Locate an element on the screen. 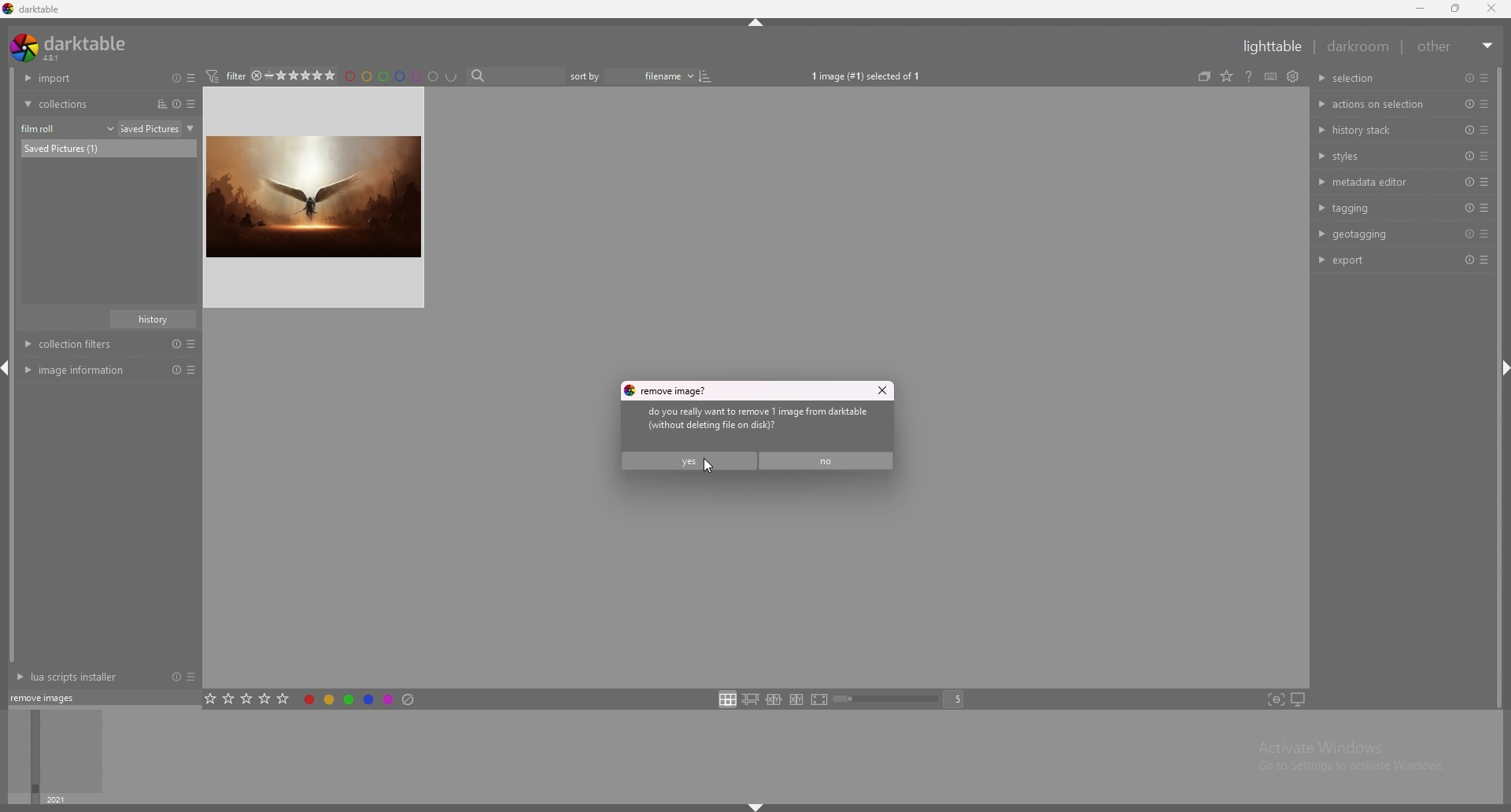 Image resolution: width=1511 pixels, height=812 pixels. toggle color label is located at coordinates (360, 698).